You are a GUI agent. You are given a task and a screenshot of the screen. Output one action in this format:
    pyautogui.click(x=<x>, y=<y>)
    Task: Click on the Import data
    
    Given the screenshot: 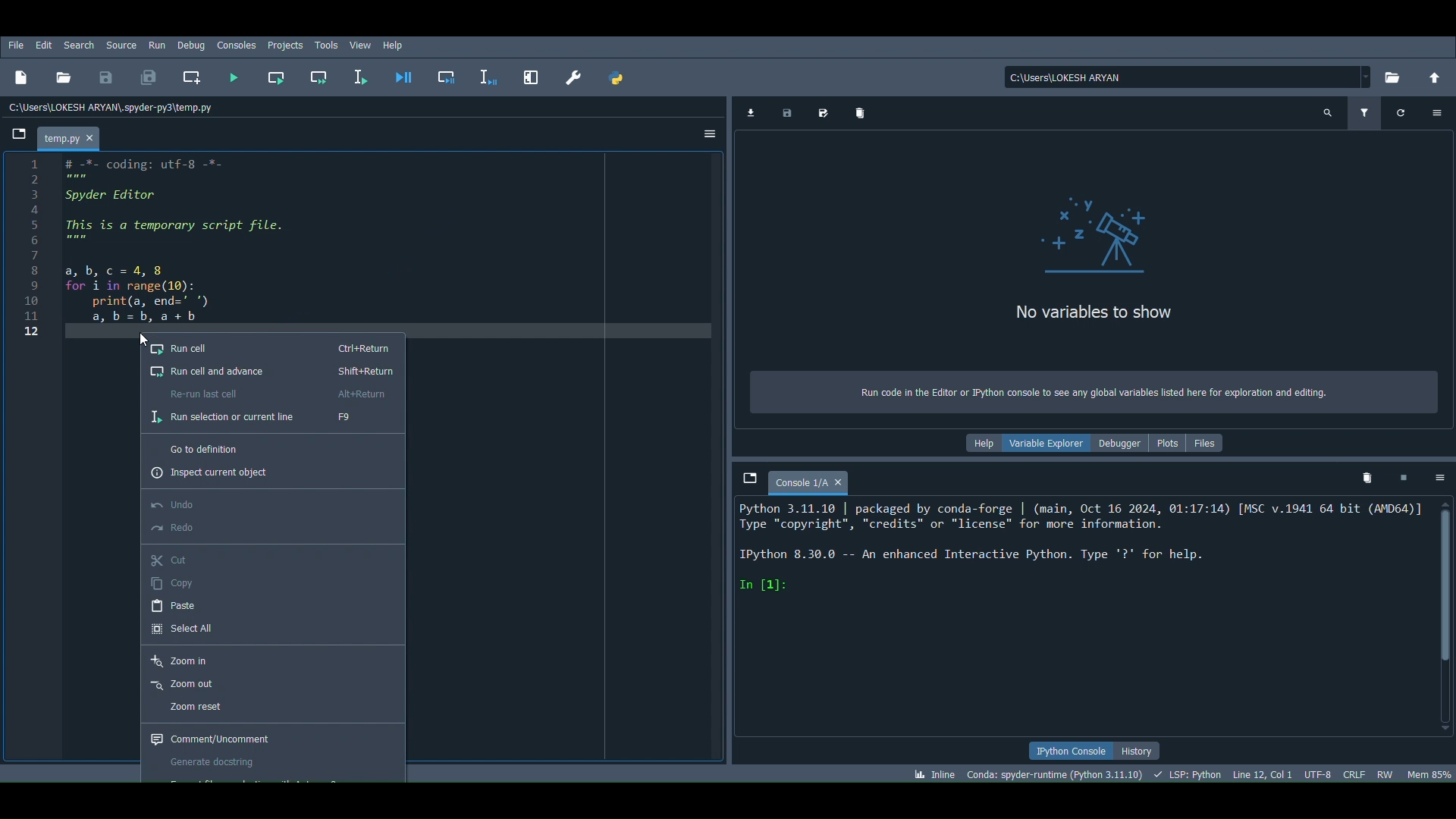 What is the action you would take?
    pyautogui.click(x=752, y=110)
    